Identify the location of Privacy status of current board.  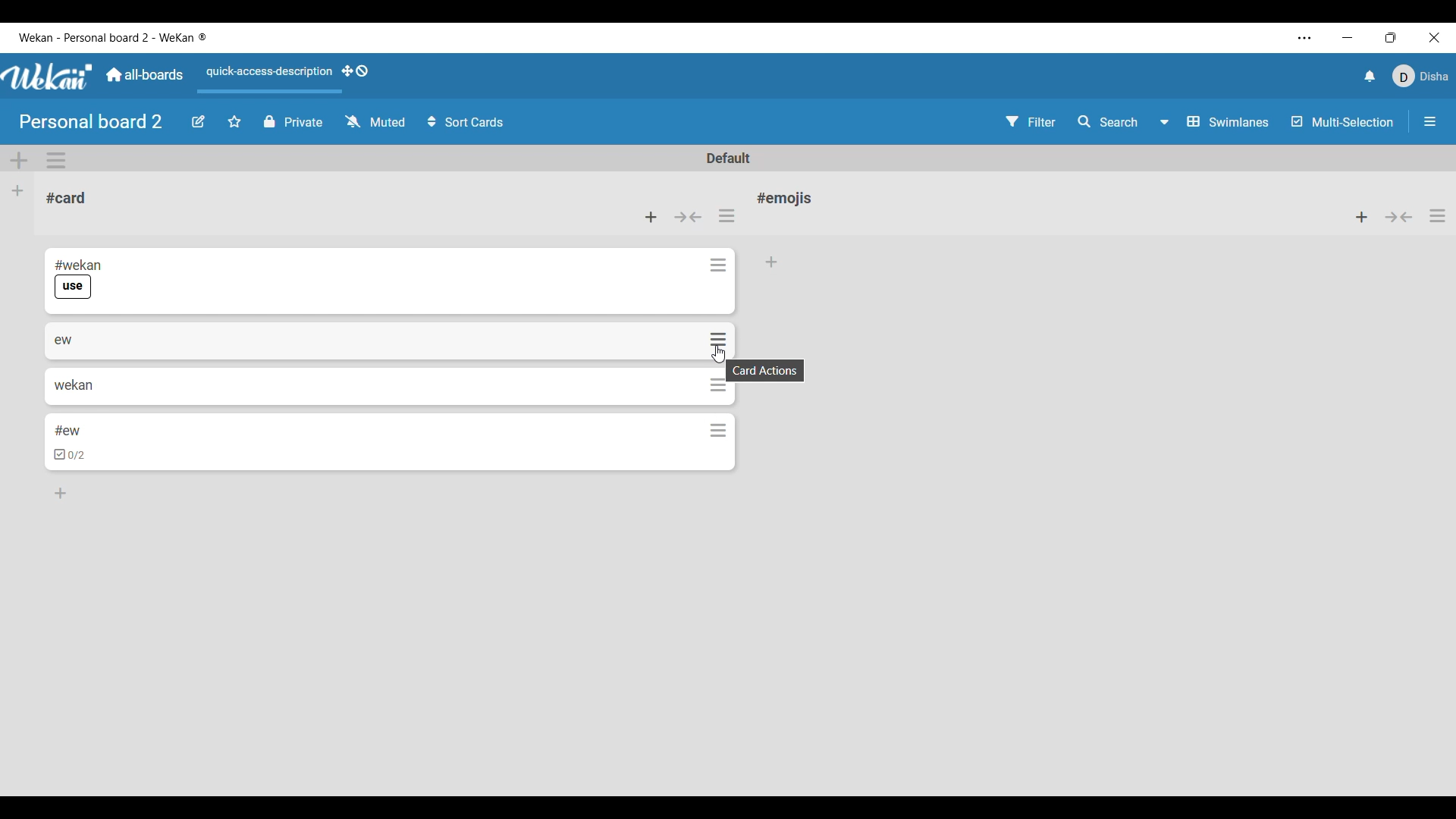
(293, 121).